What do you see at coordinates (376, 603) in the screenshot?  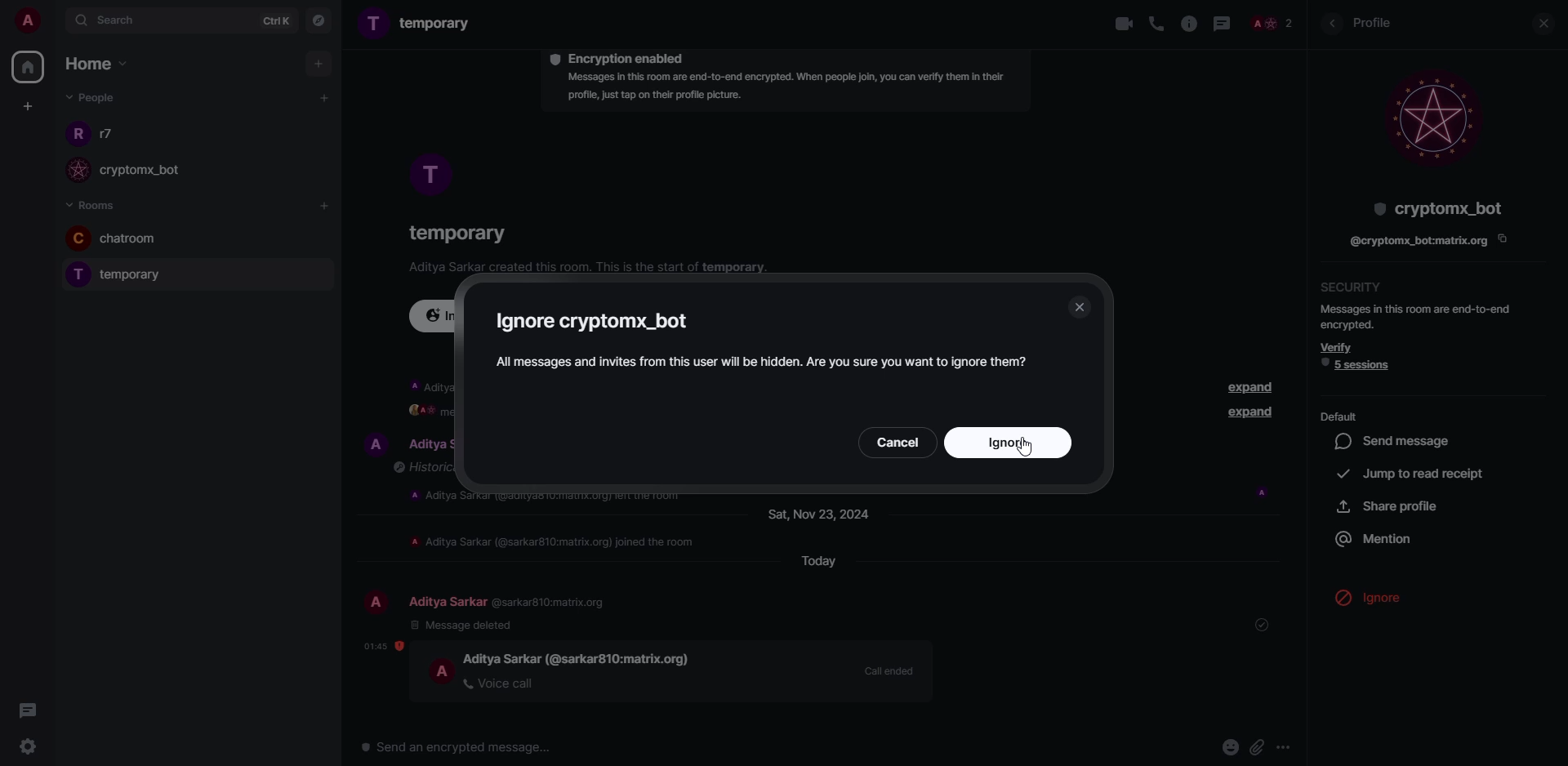 I see `profile` at bounding box center [376, 603].